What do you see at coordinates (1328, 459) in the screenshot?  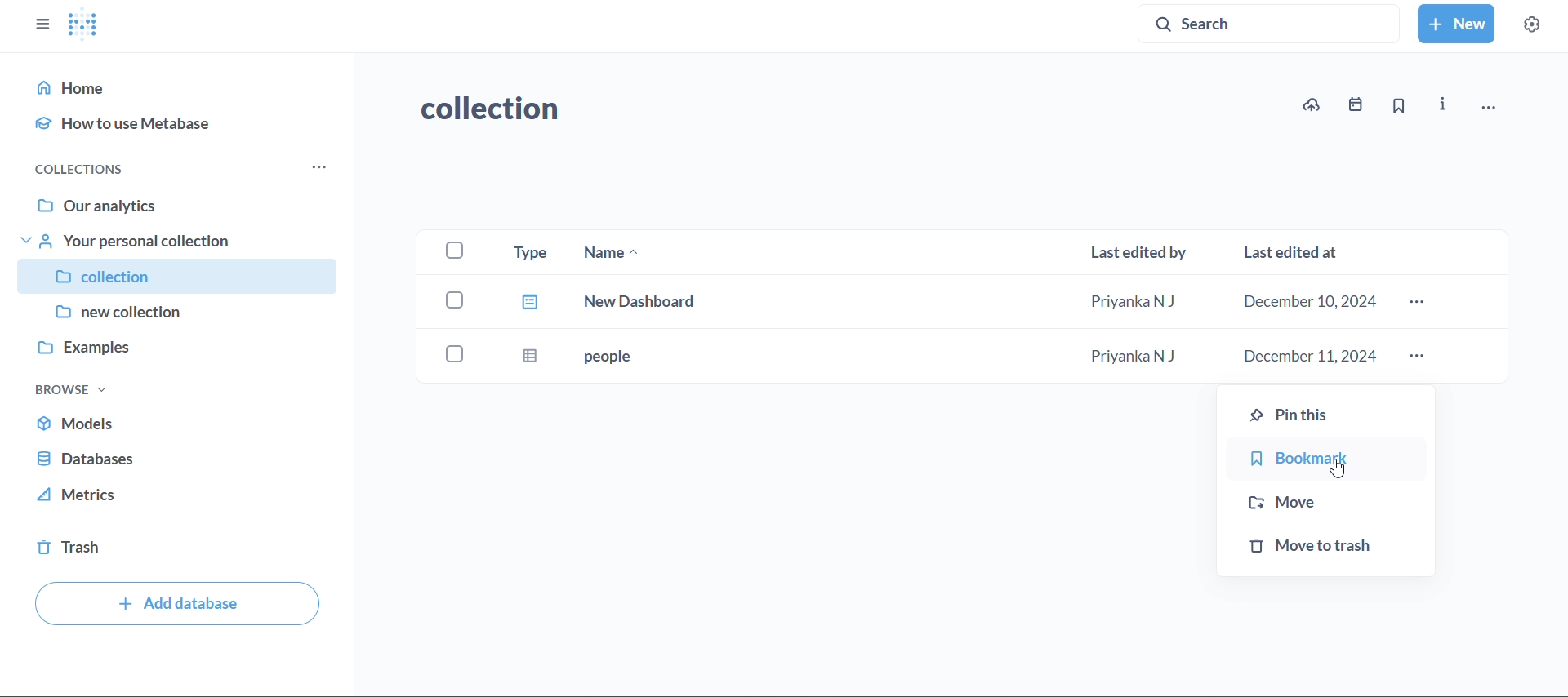 I see `bookmark` at bounding box center [1328, 459].